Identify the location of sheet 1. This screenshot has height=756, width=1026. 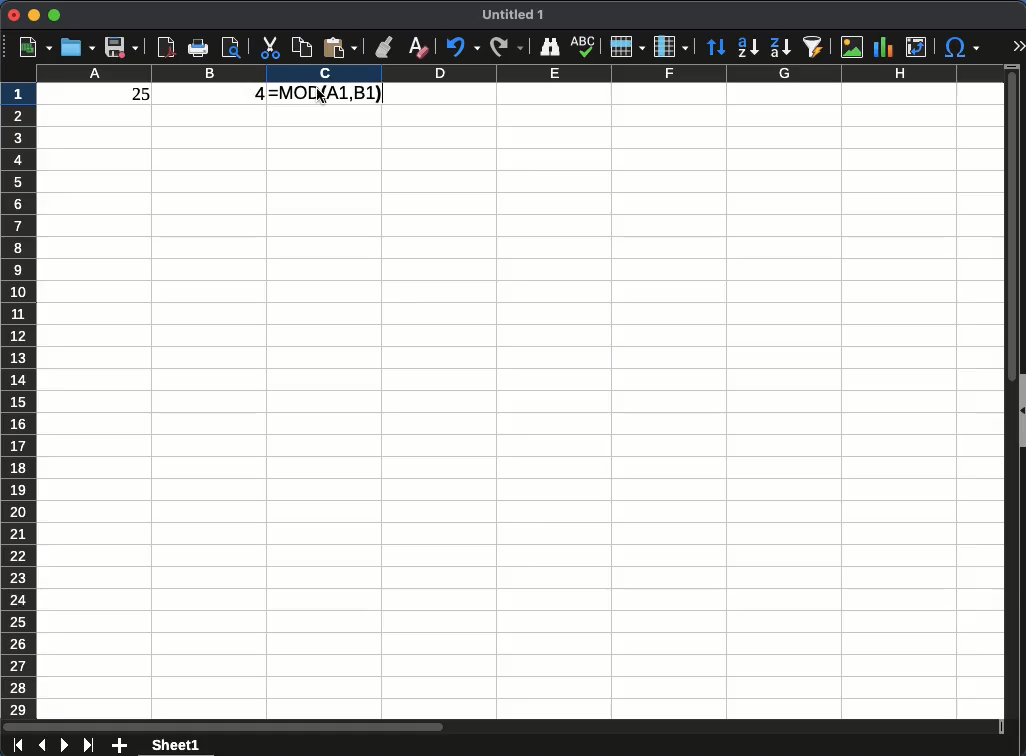
(176, 744).